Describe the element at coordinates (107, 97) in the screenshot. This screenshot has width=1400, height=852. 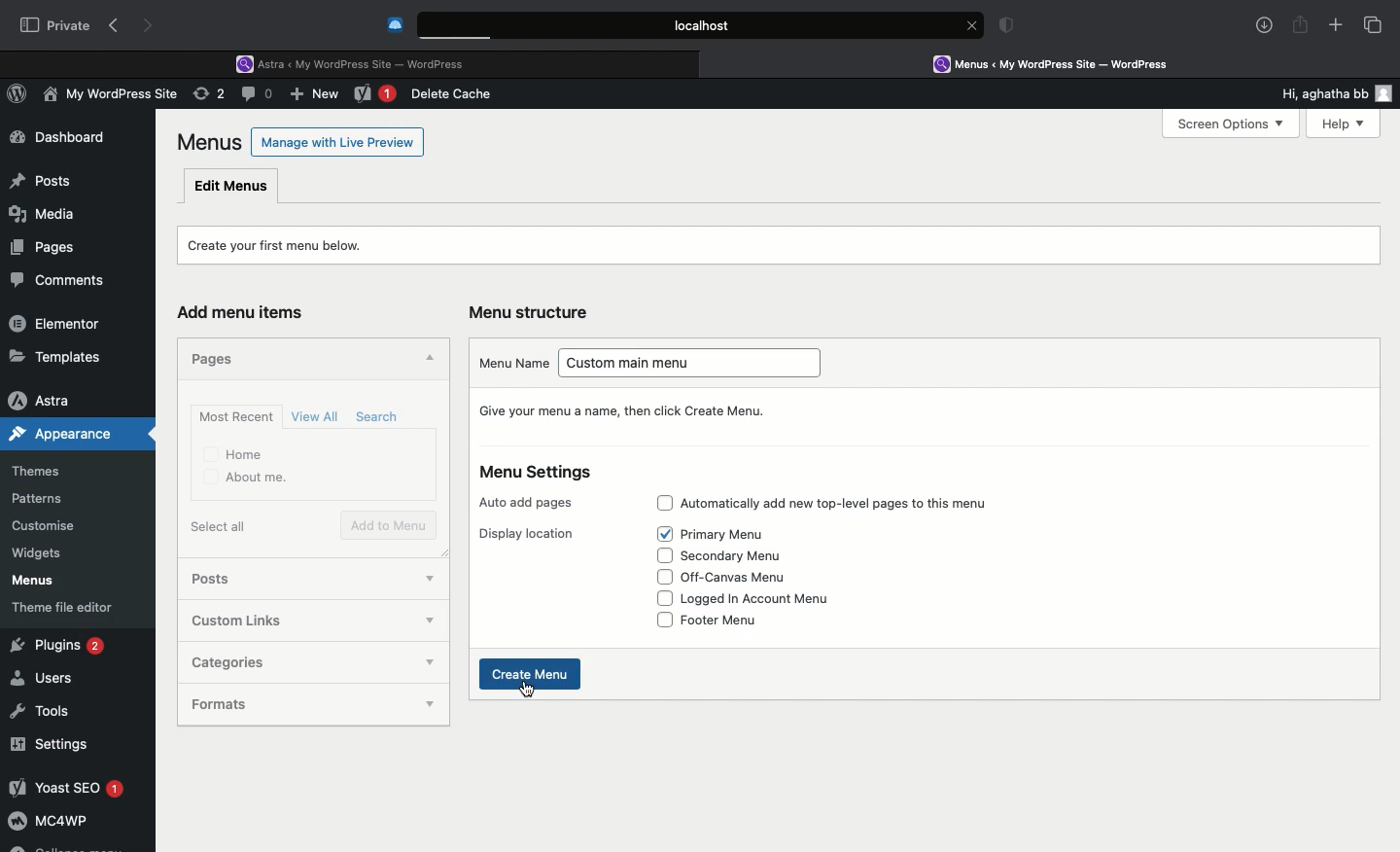
I see `My WordPress Site` at that location.